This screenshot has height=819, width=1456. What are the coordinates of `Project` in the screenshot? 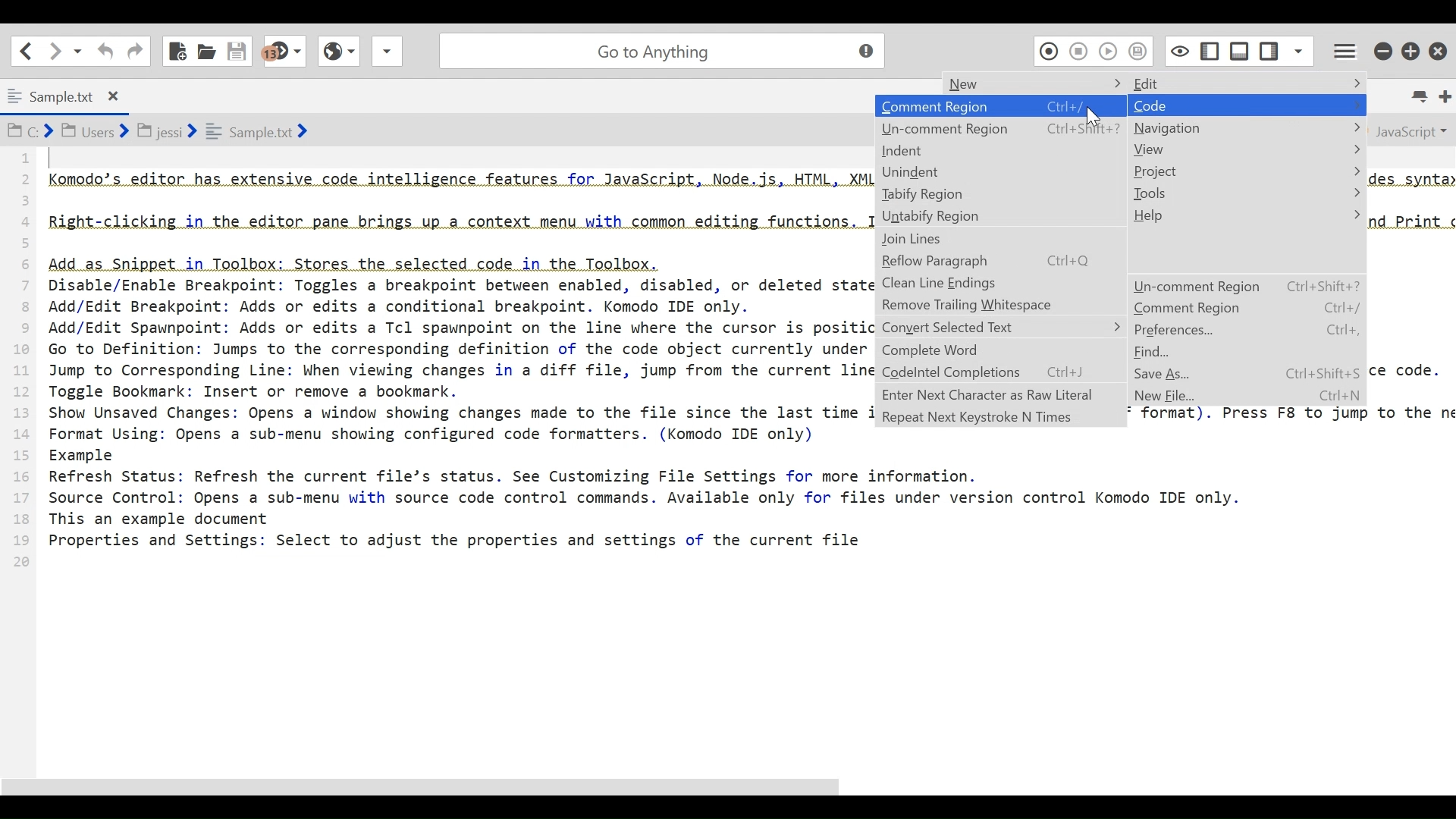 It's located at (1246, 170).